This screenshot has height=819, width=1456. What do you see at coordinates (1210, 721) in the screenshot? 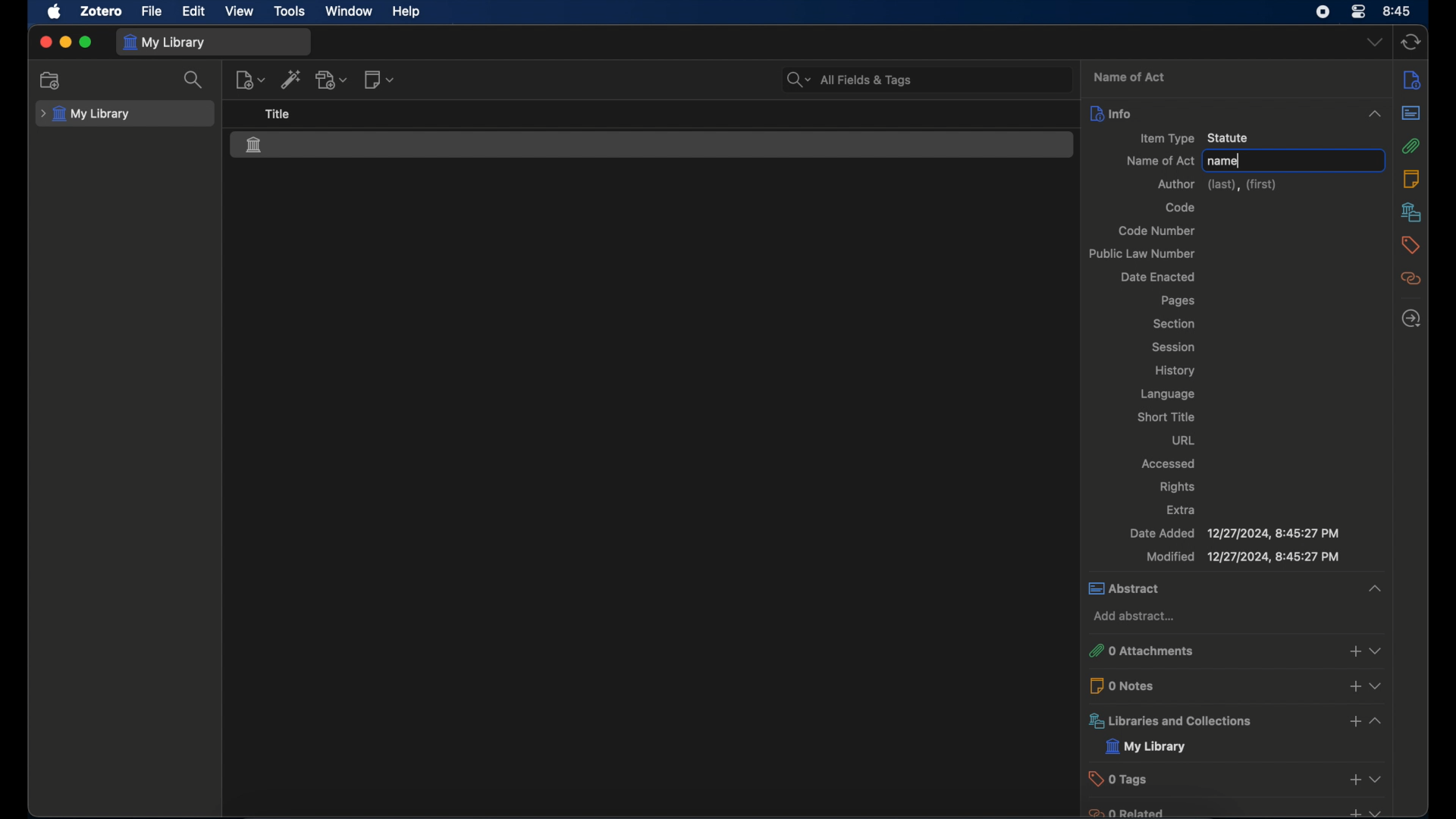
I see `libraries` at bounding box center [1210, 721].